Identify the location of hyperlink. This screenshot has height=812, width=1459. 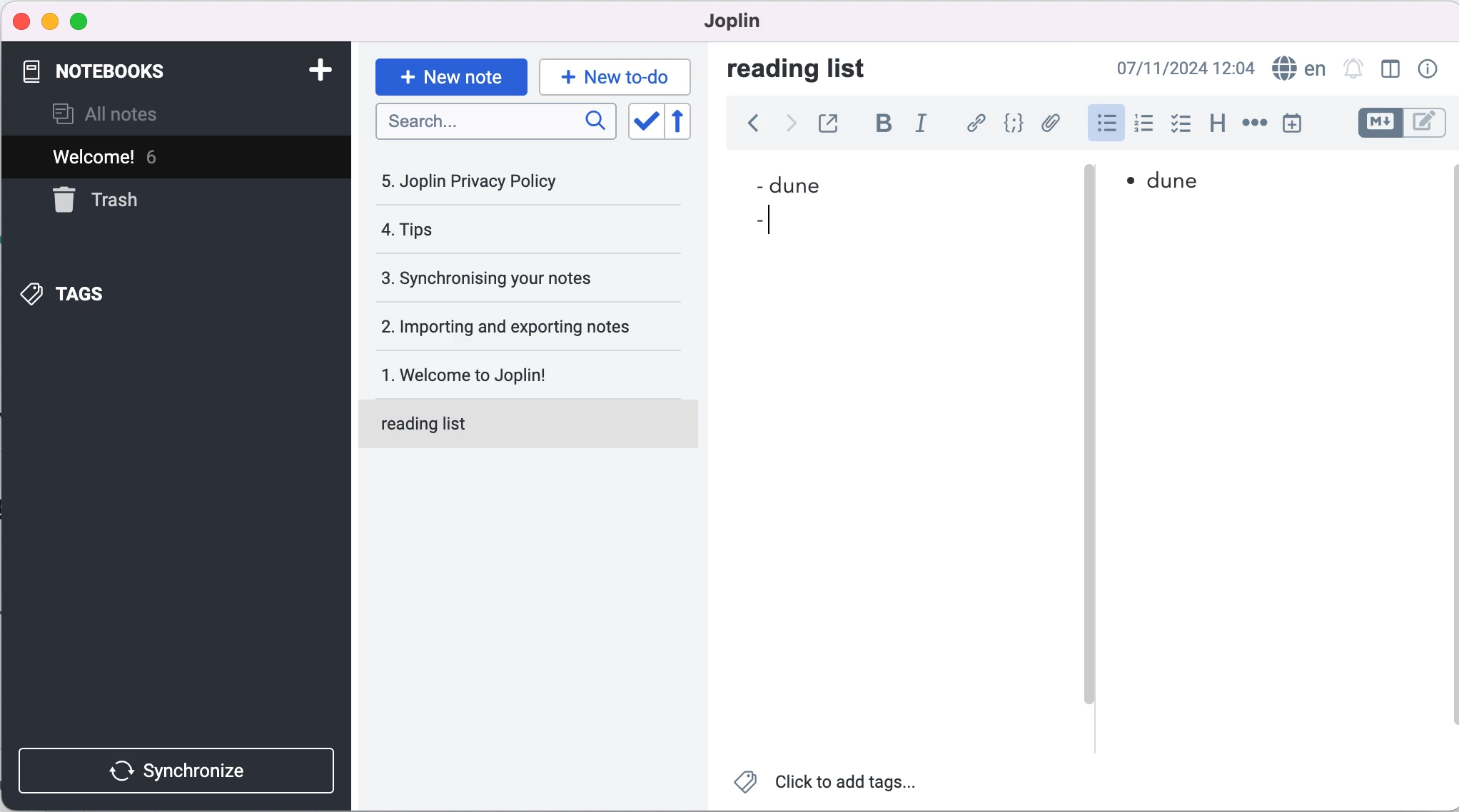
(976, 123).